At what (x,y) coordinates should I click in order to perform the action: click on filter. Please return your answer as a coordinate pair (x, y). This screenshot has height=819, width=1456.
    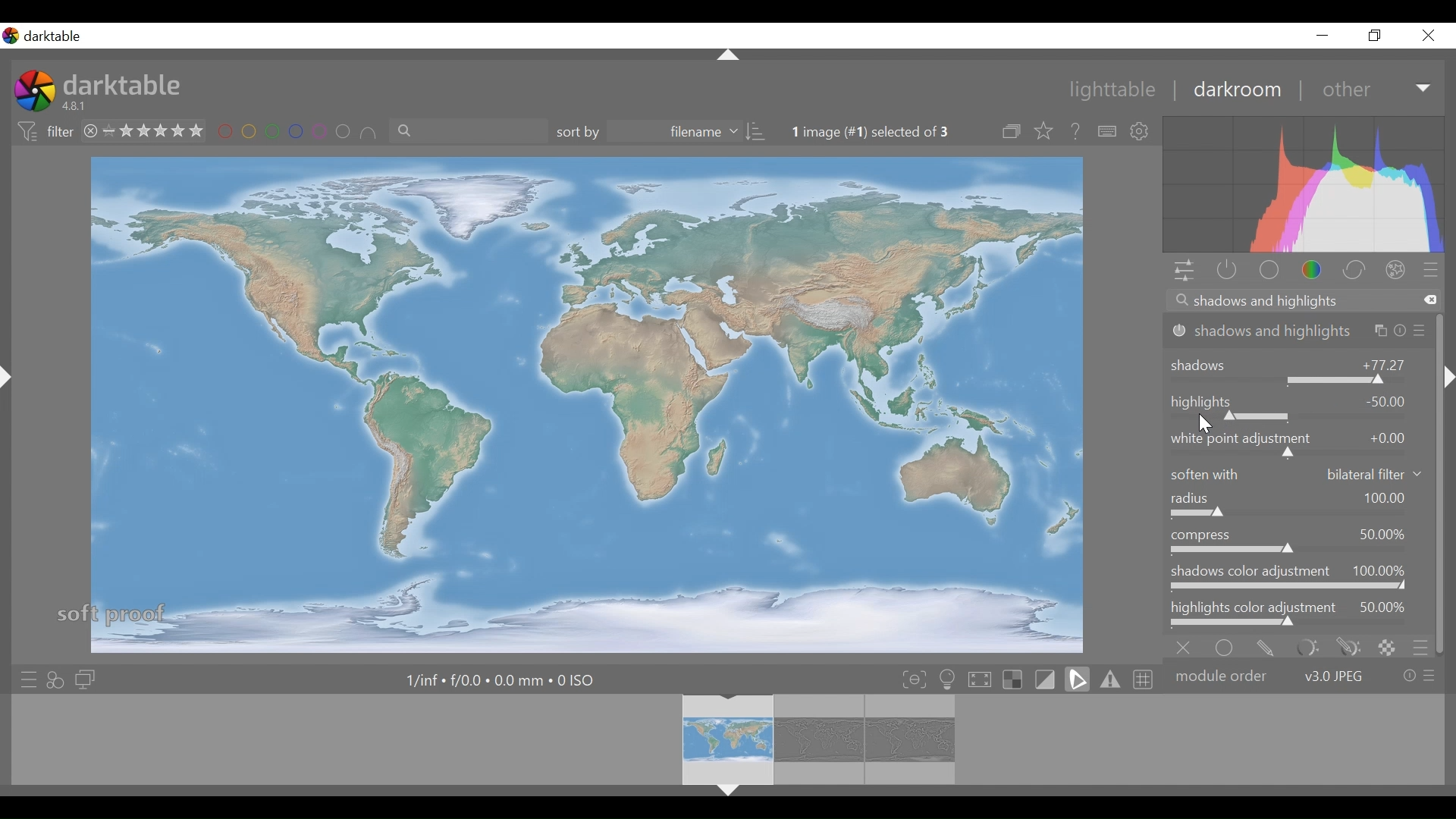
    Looking at the image, I should click on (42, 132).